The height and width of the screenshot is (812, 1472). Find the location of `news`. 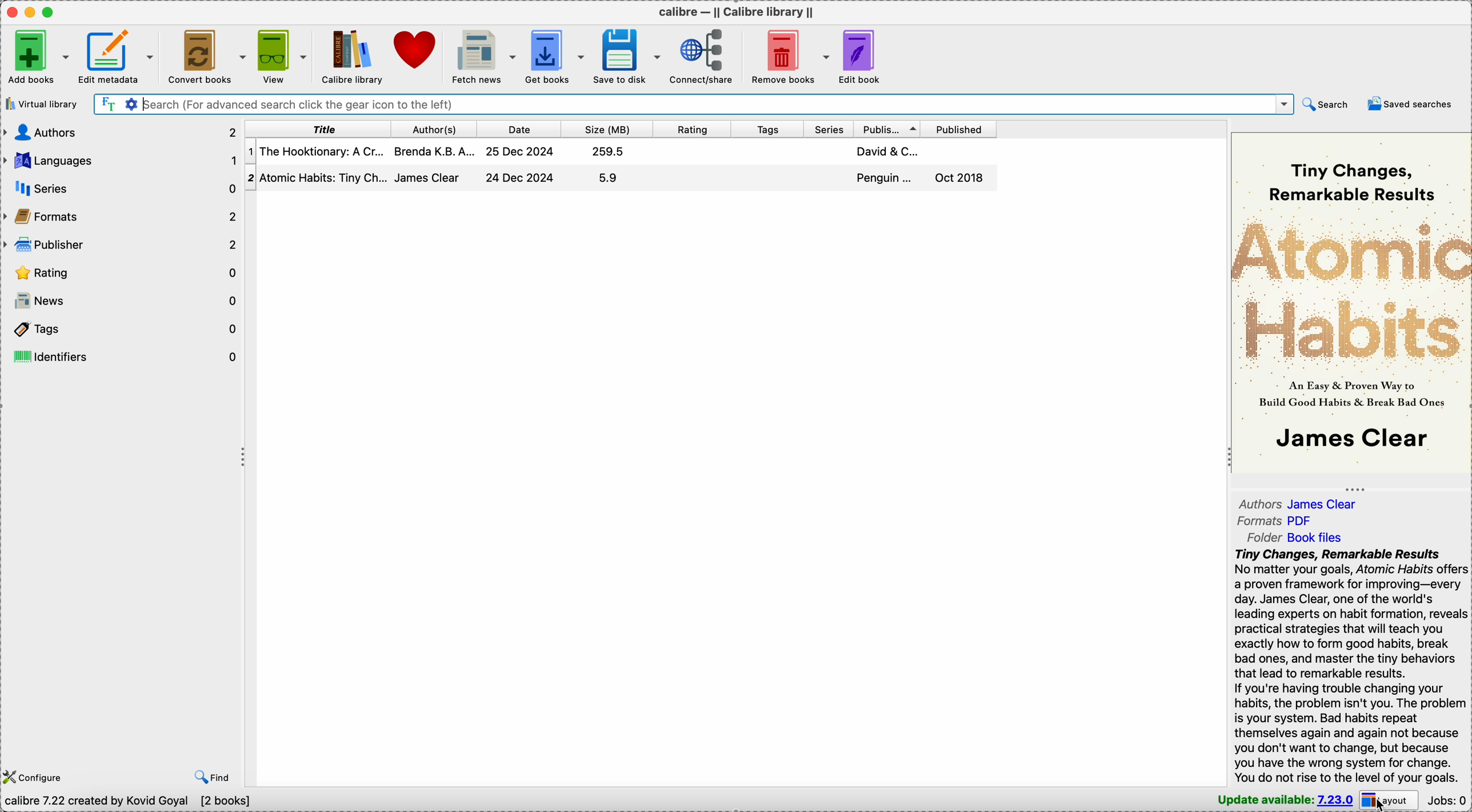

news is located at coordinates (122, 302).